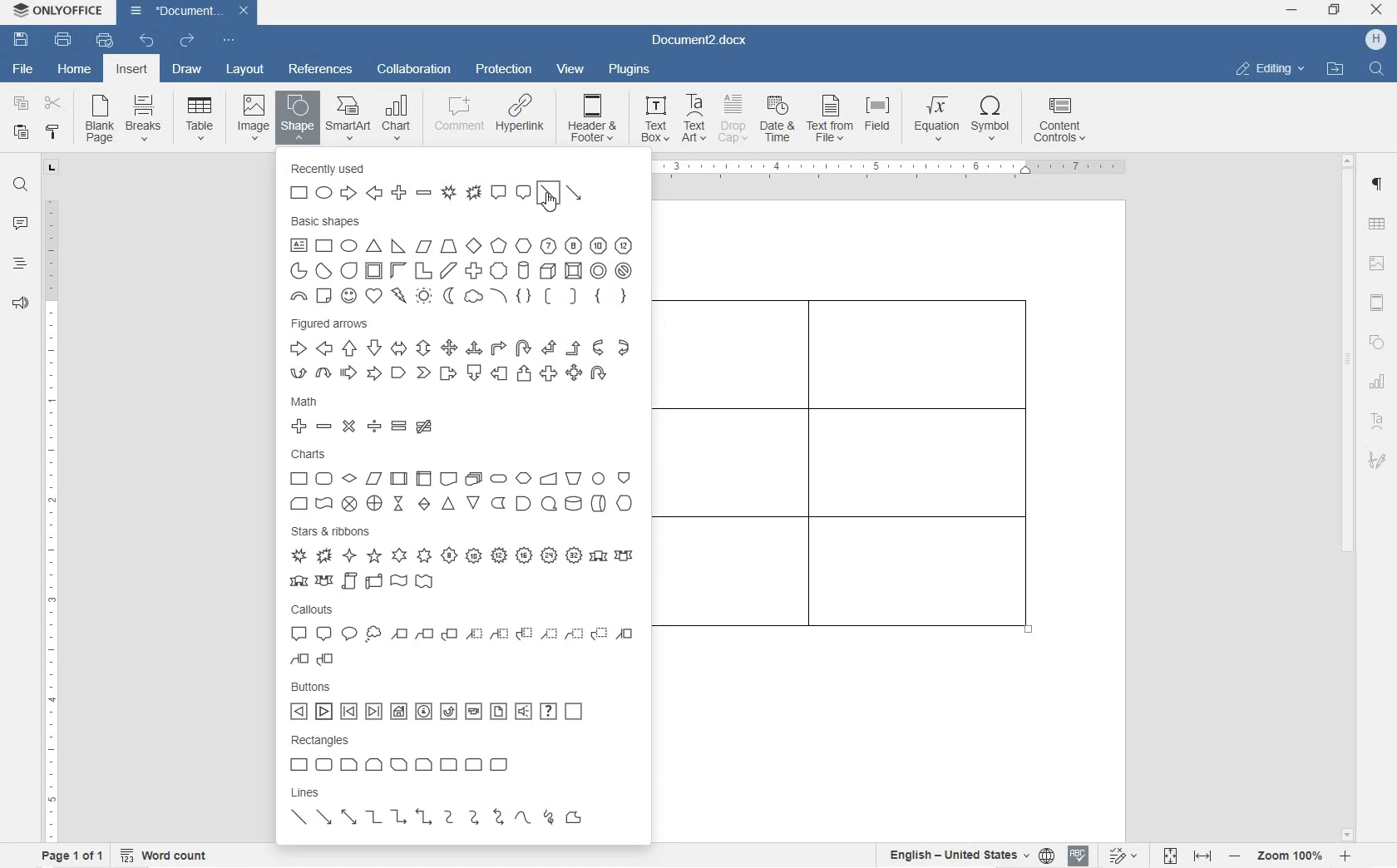  What do you see at coordinates (165, 855) in the screenshot?
I see `word count` at bounding box center [165, 855].